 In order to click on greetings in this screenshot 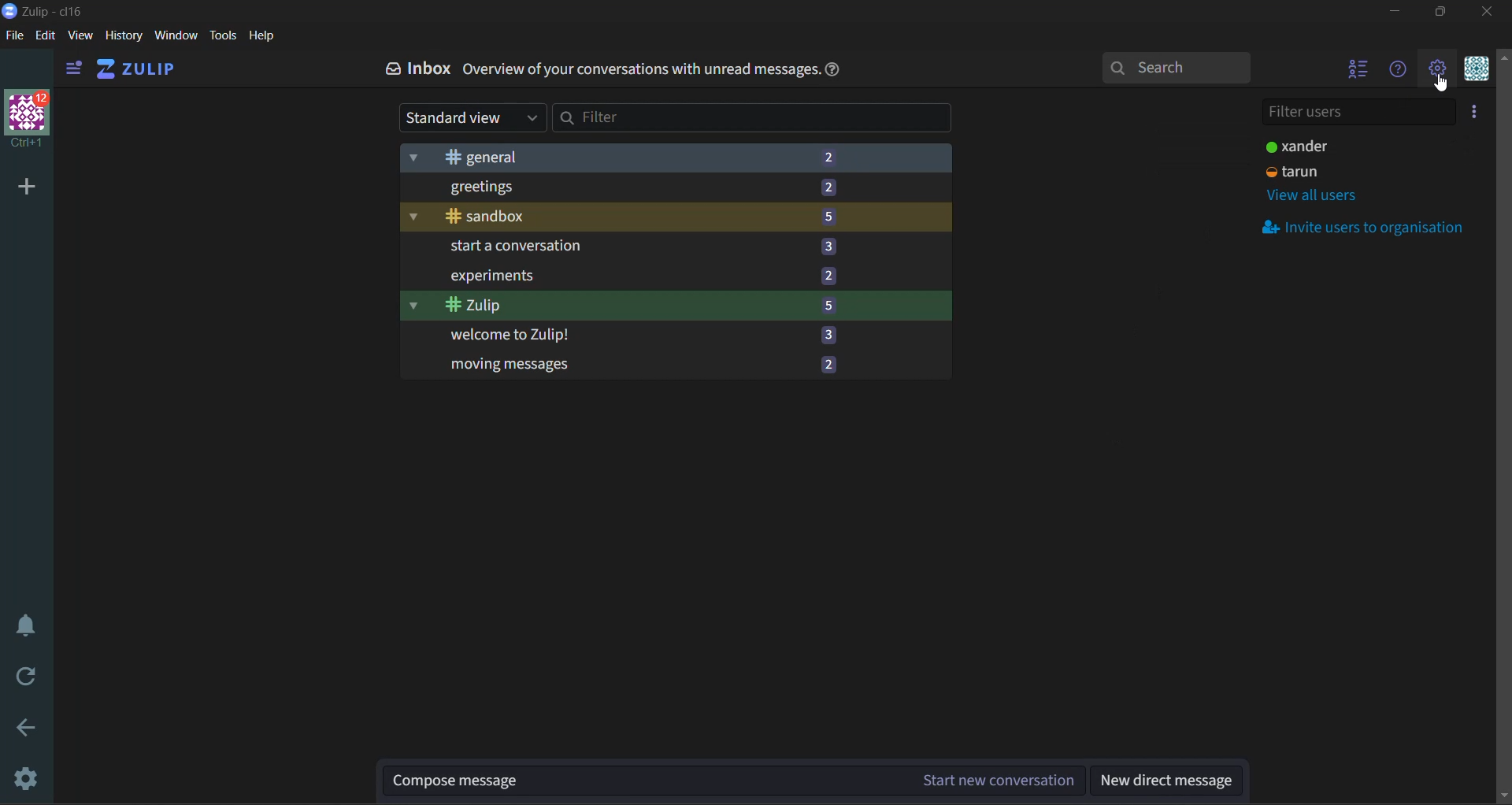, I will do `click(626, 187)`.